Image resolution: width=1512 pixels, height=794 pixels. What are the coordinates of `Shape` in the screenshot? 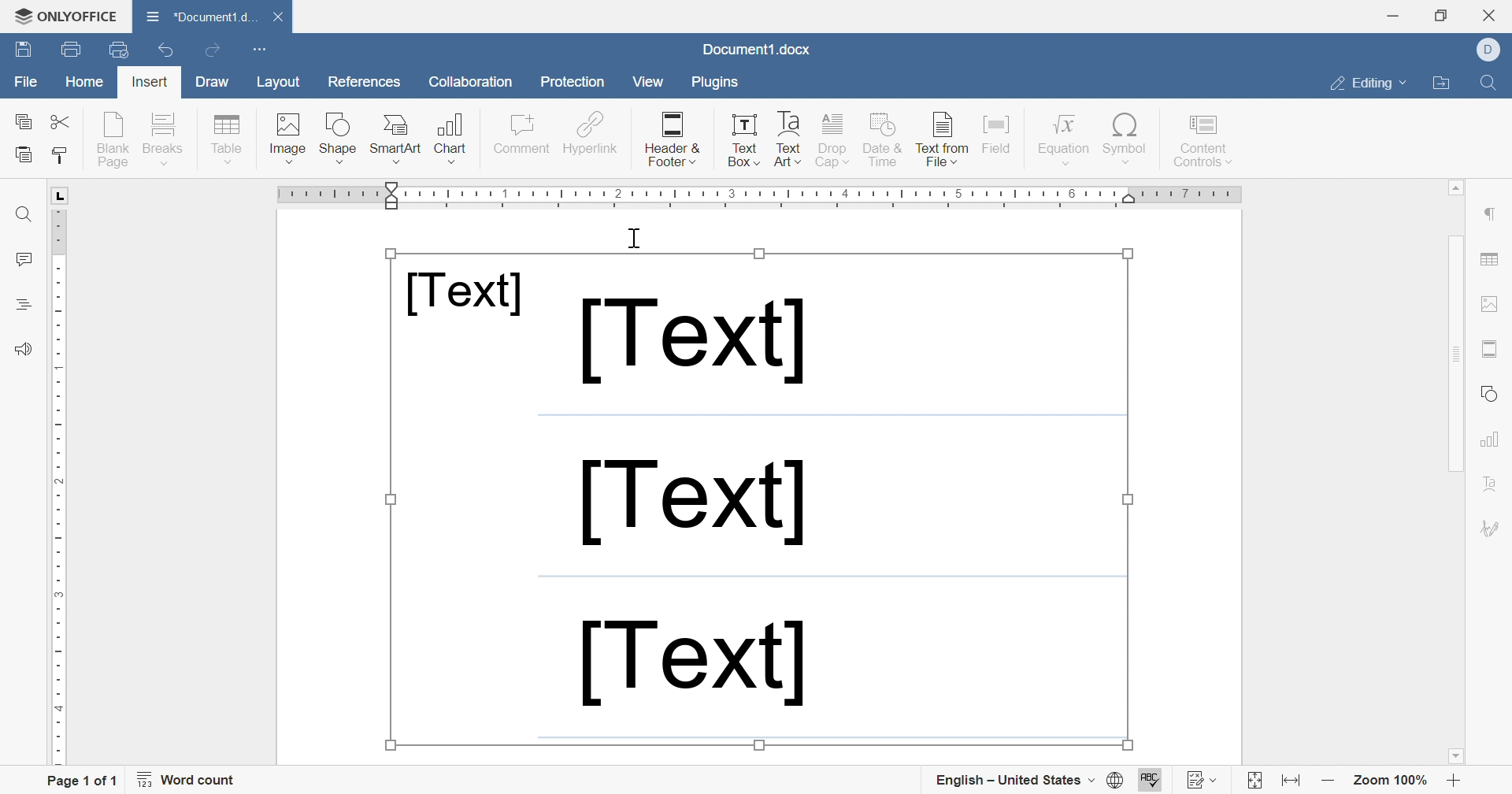 It's located at (339, 139).